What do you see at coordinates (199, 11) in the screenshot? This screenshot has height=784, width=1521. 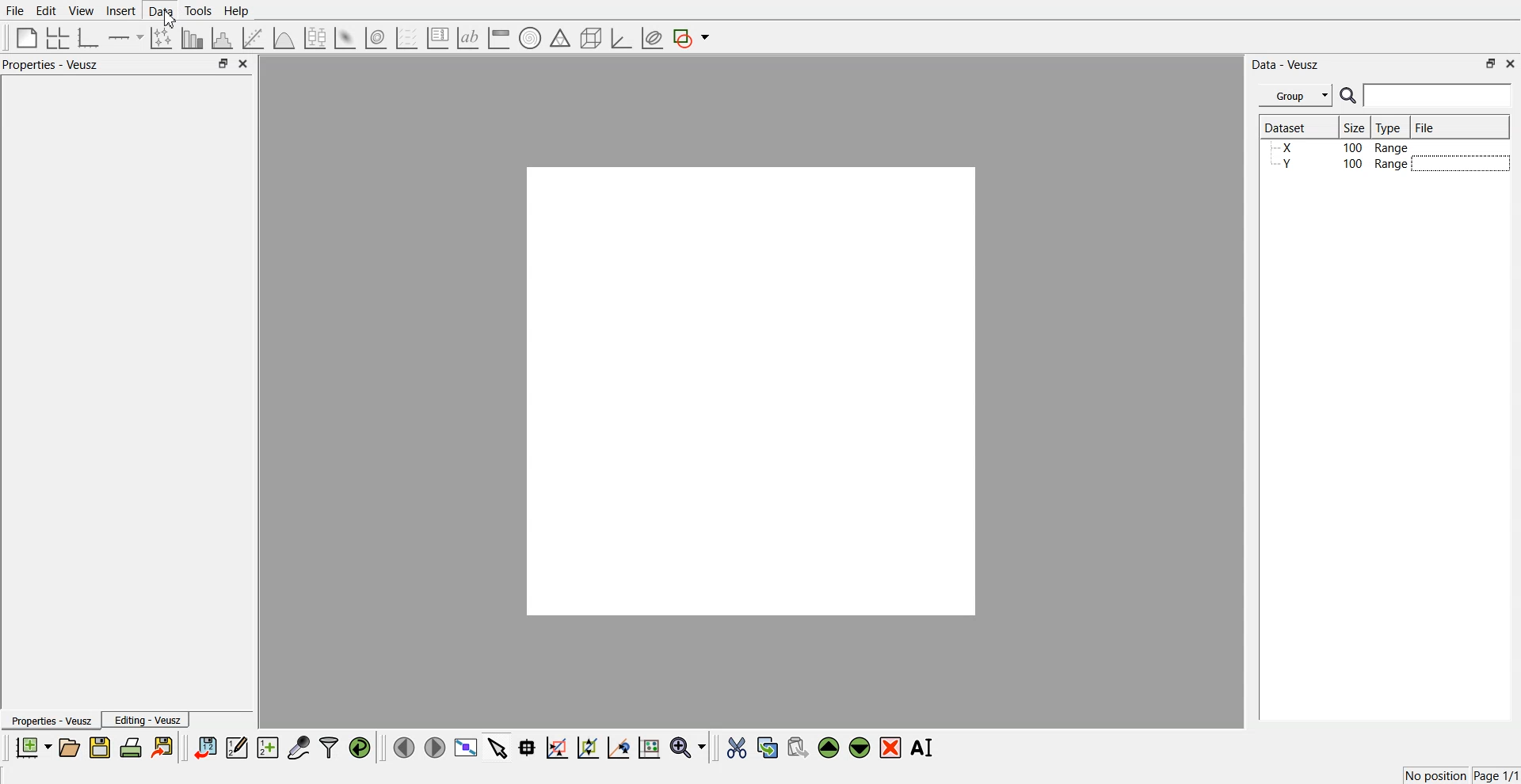 I see `Tools` at bounding box center [199, 11].